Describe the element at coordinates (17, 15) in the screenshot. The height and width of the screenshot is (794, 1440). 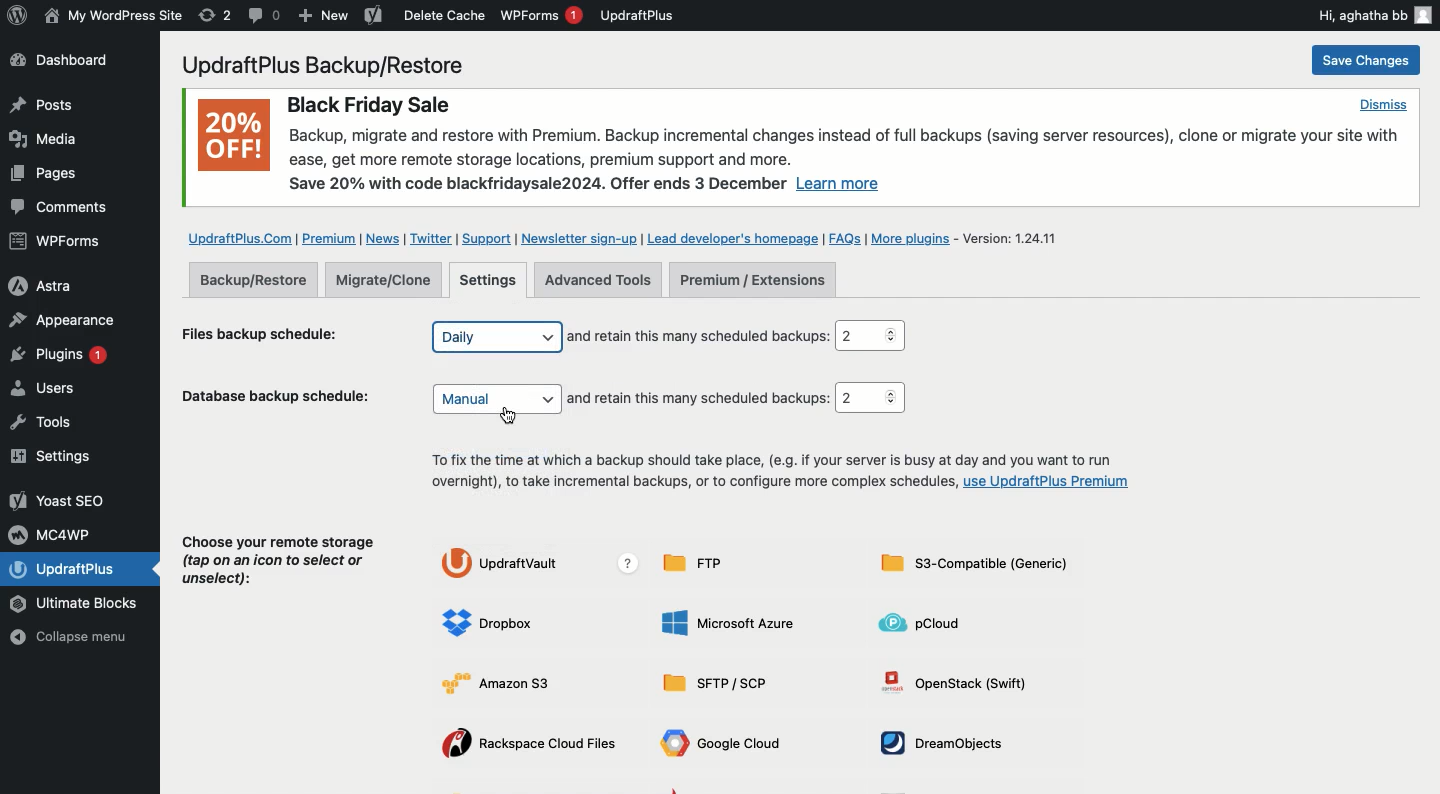
I see `wordpress logo` at that location.